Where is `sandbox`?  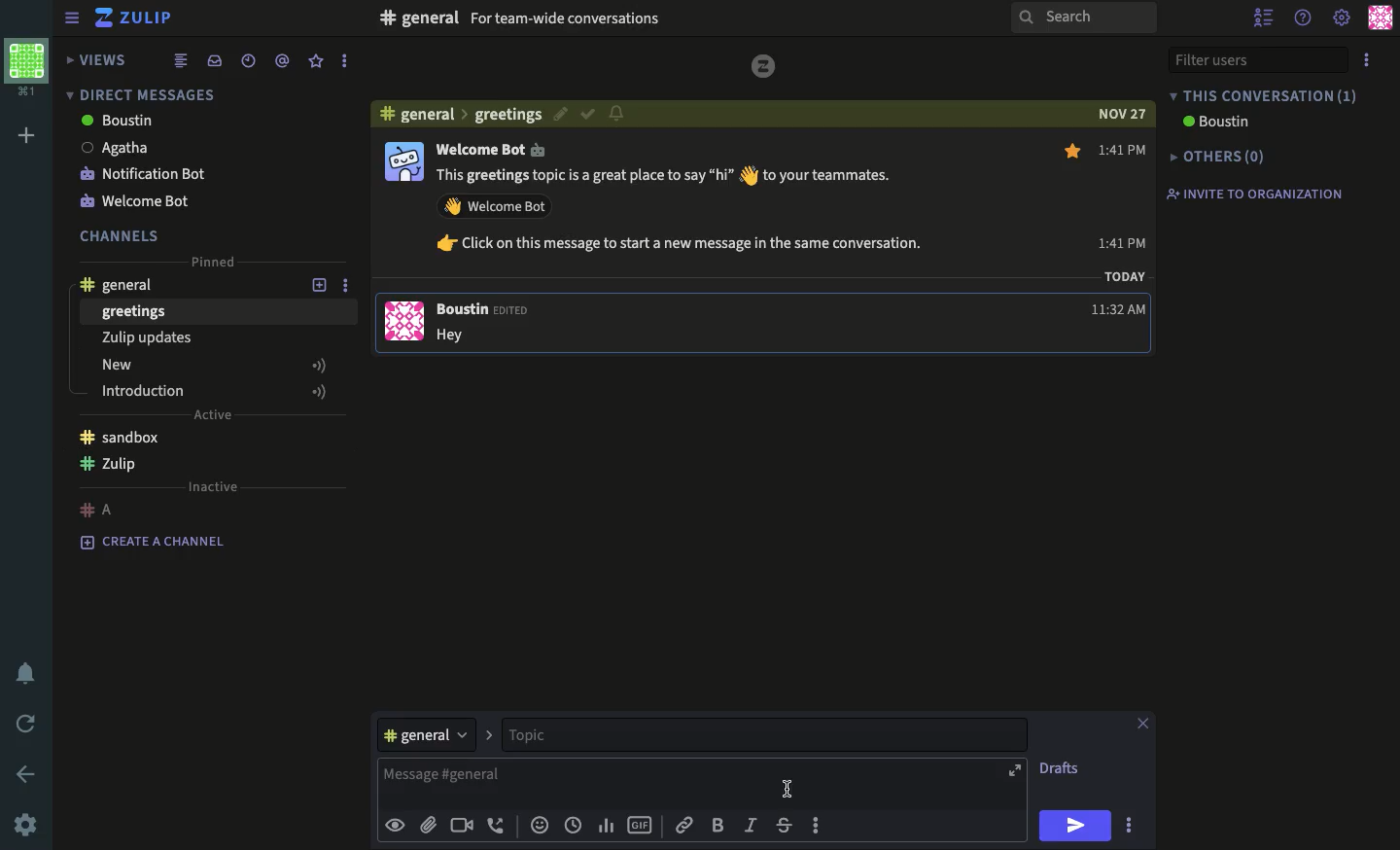 sandbox is located at coordinates (123, 435).